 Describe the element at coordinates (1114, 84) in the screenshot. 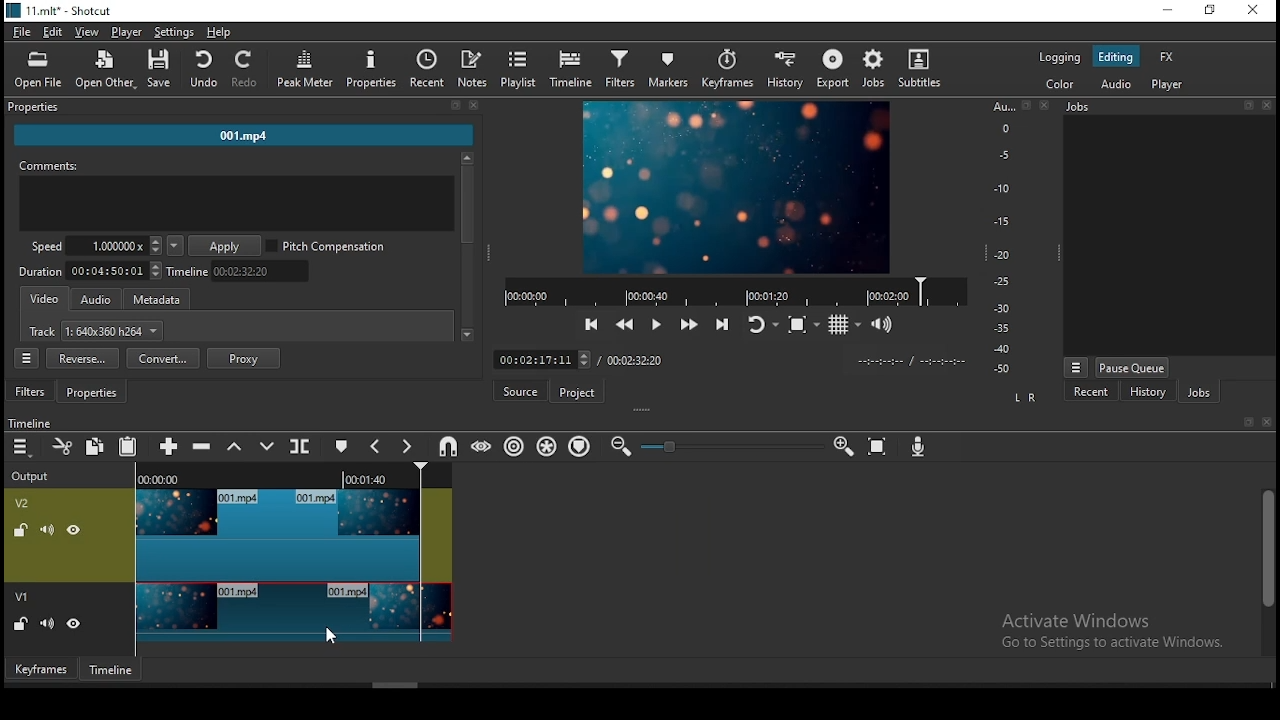

I see `audio` at that location.